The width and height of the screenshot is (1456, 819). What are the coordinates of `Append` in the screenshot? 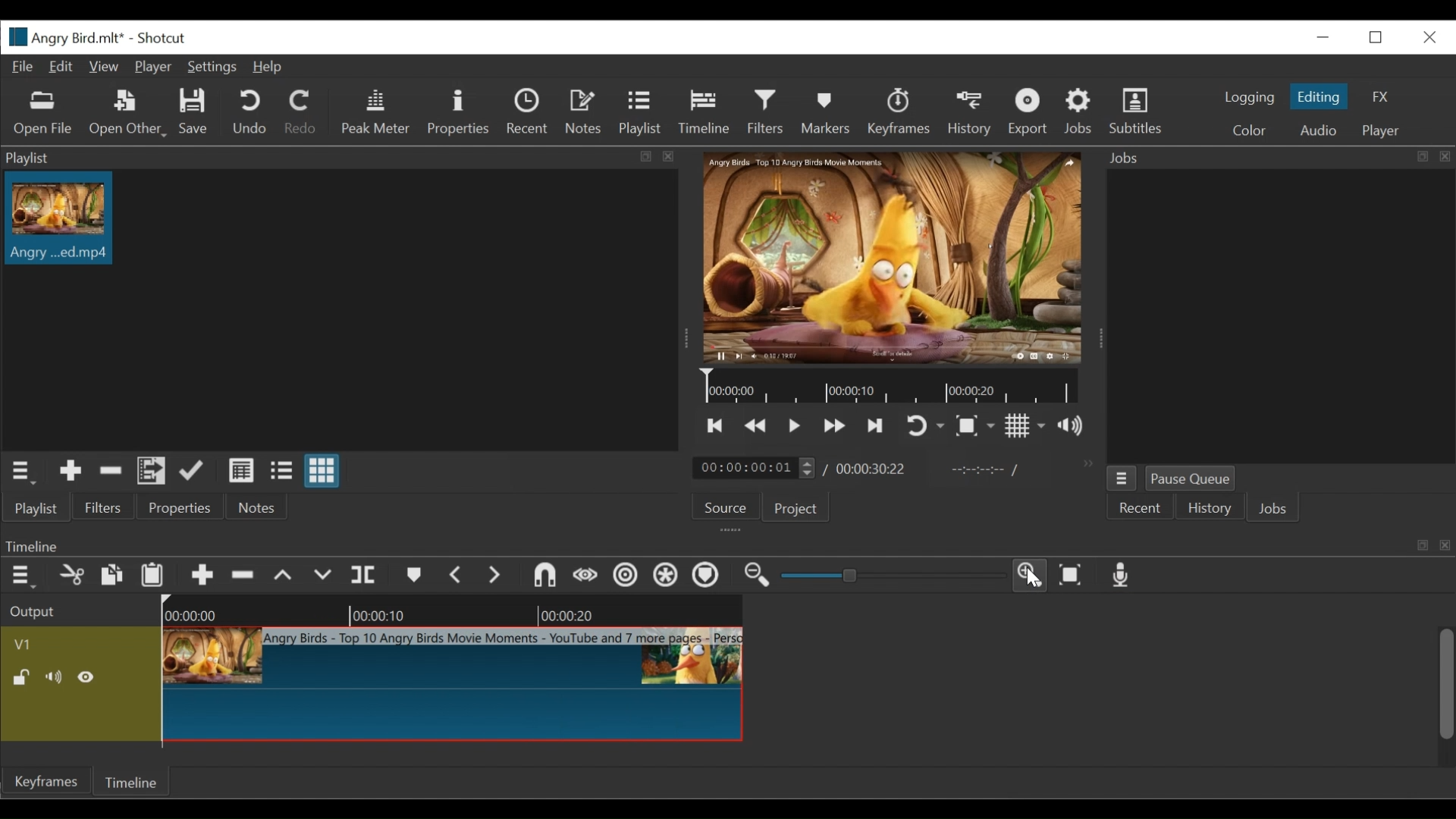 It's located at (203, 576).